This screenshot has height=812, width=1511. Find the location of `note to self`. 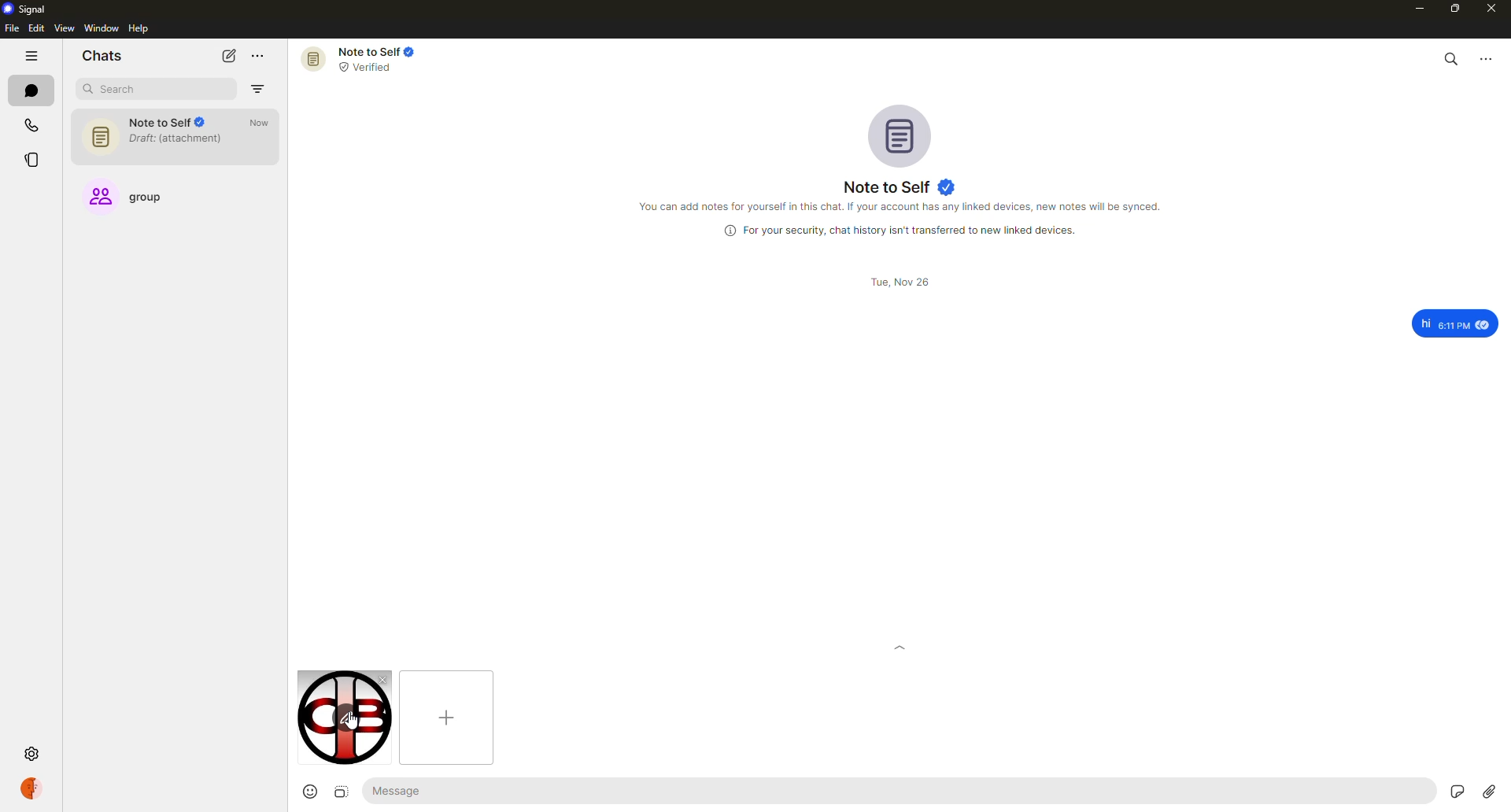

note to self is located at coordinates (368, 59).